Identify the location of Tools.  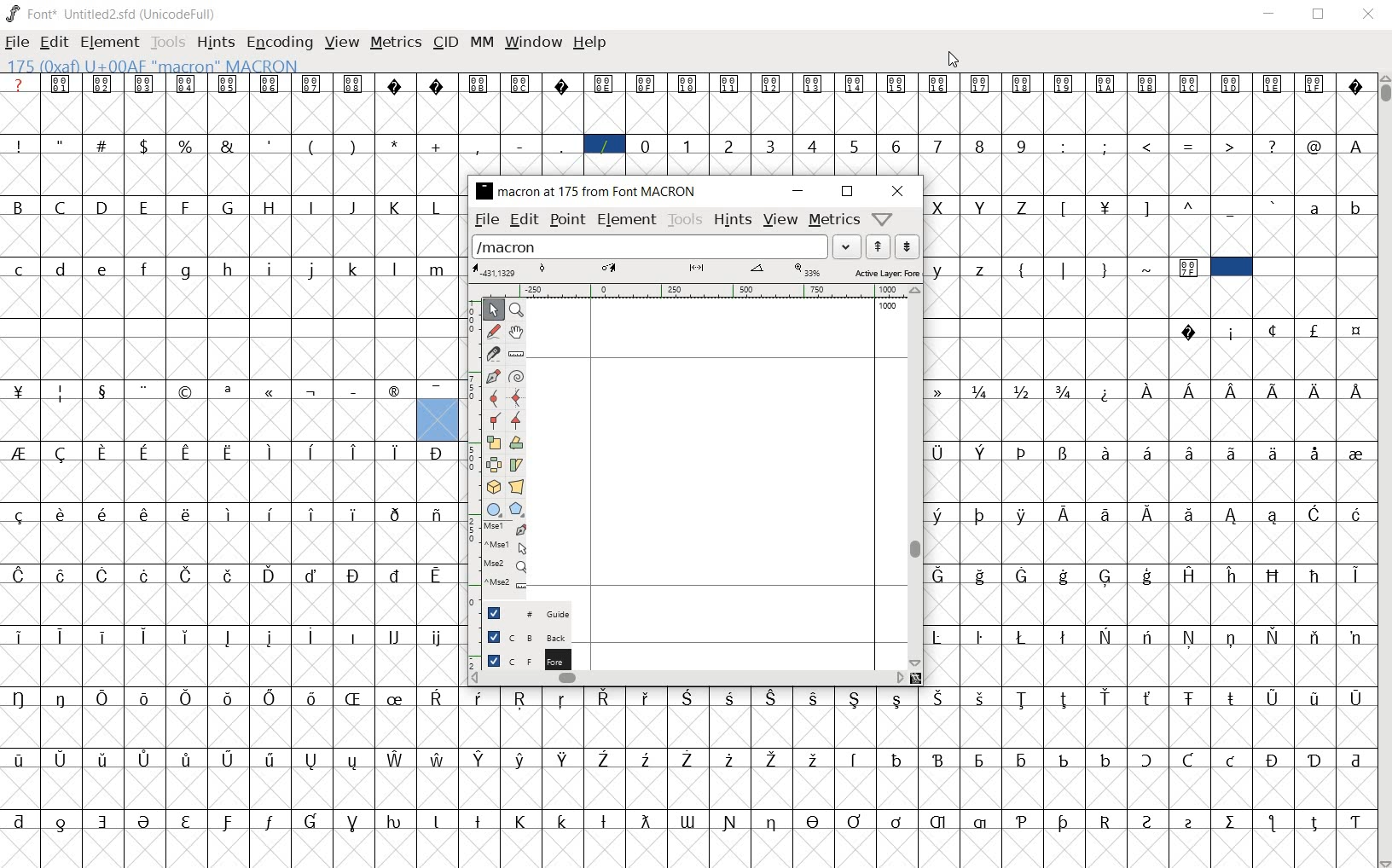
(168, 42).